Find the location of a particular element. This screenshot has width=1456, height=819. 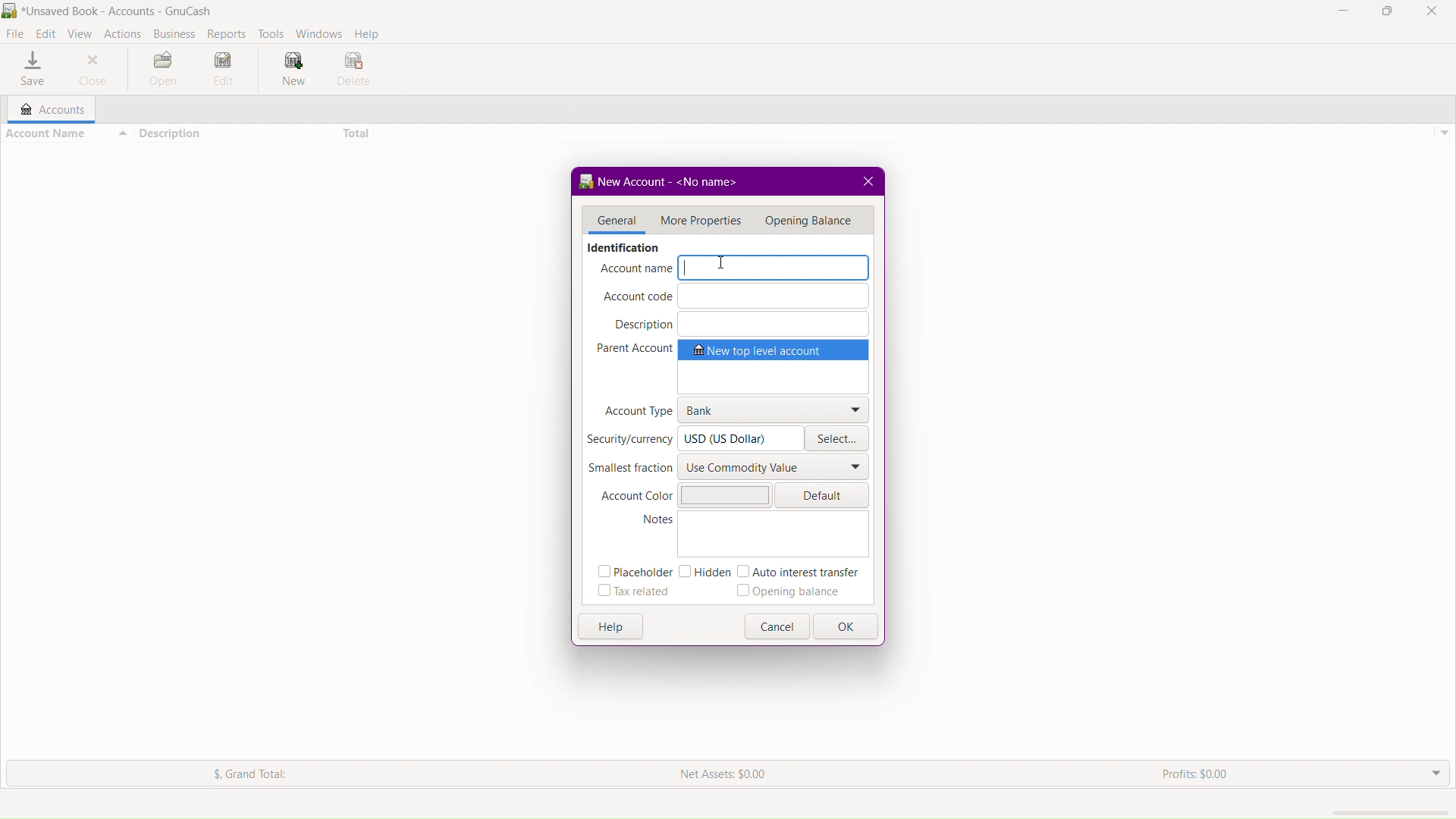

Help is located at coordinates (611, 626).